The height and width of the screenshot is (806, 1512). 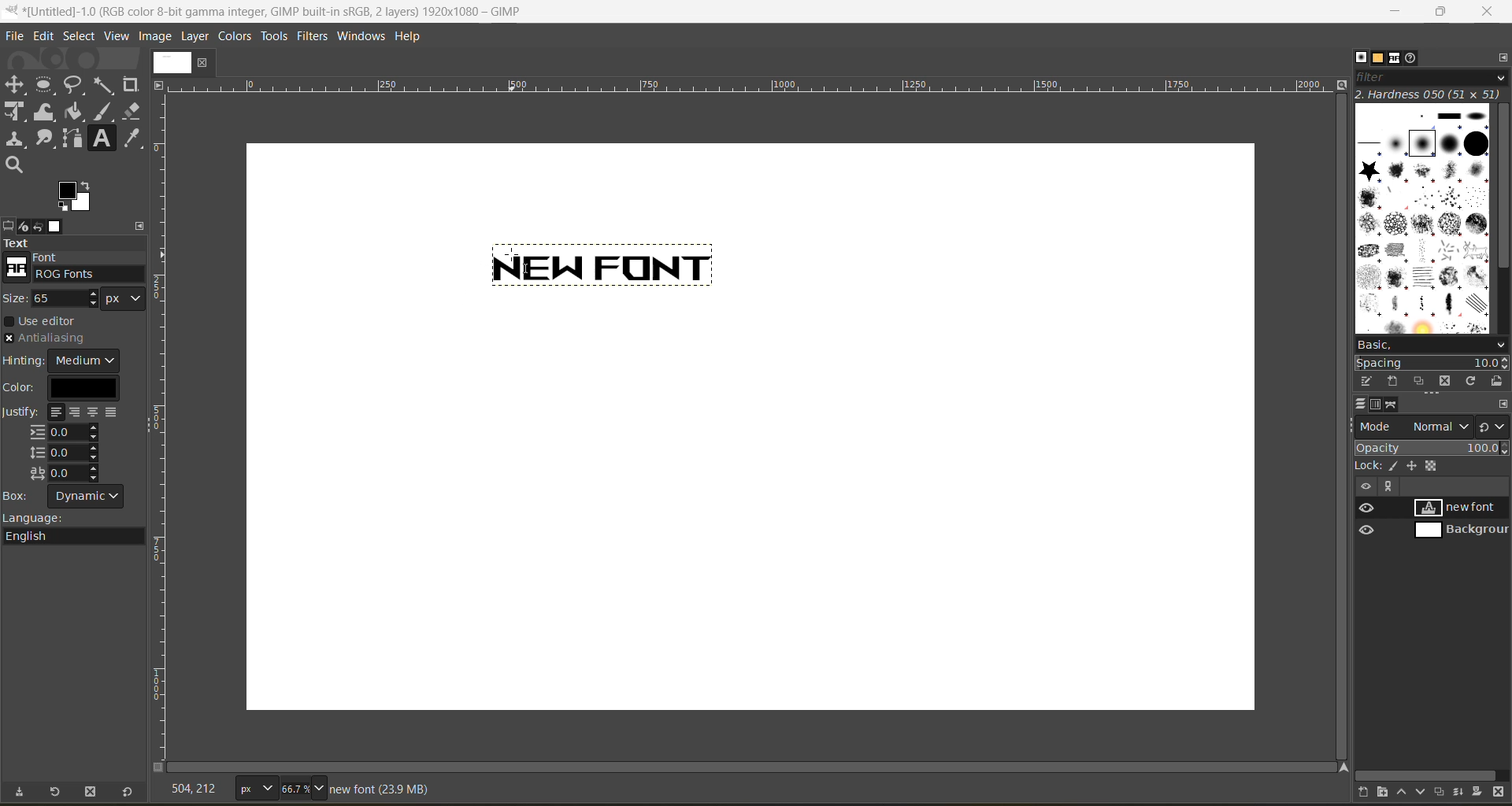 I want to click on create a new brush, so click(x=1392, y=382).